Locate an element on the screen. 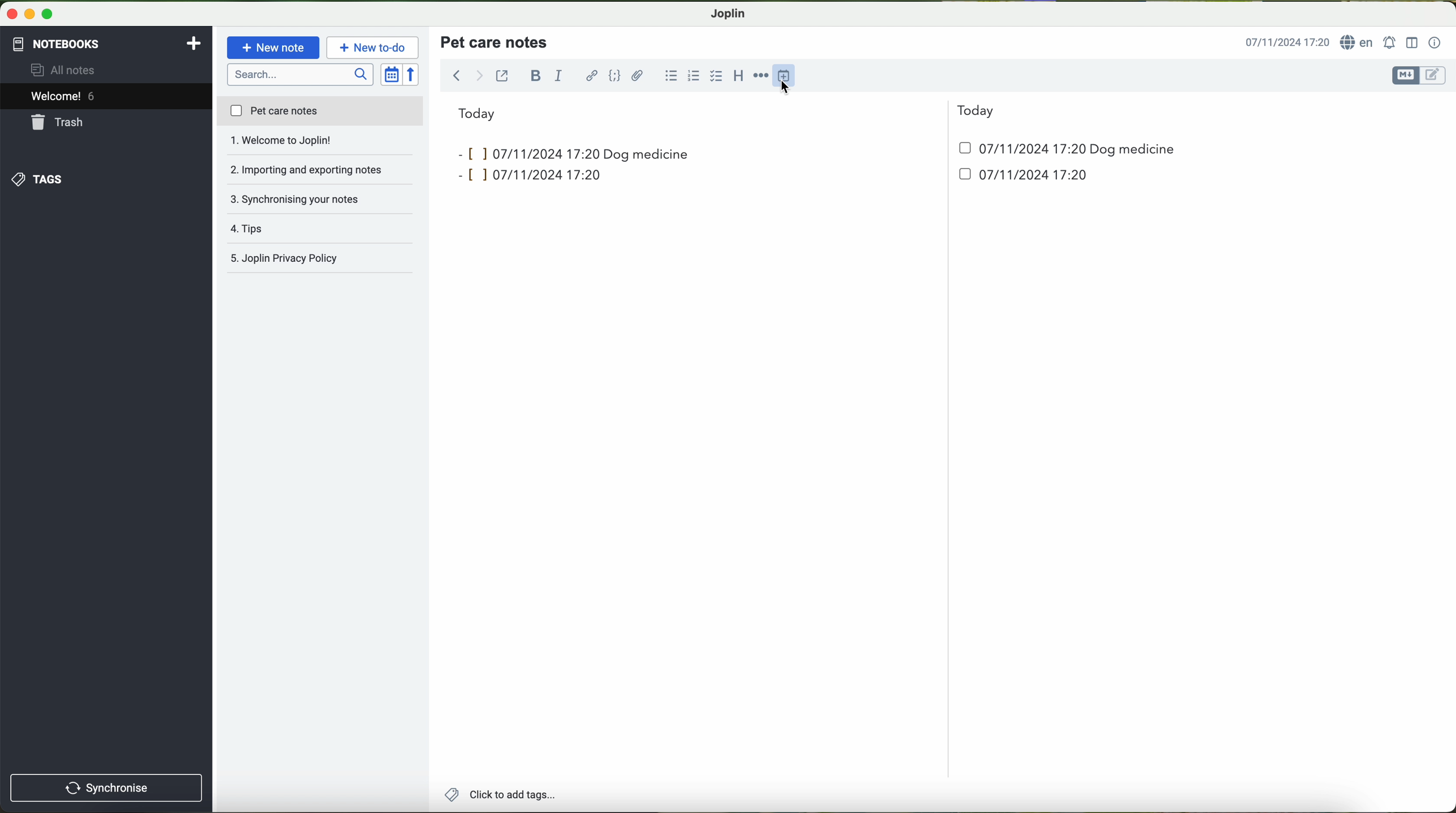 The width and height of the screenshot is (1456, 813). pet care notes file is located at coordinates (319, 112).